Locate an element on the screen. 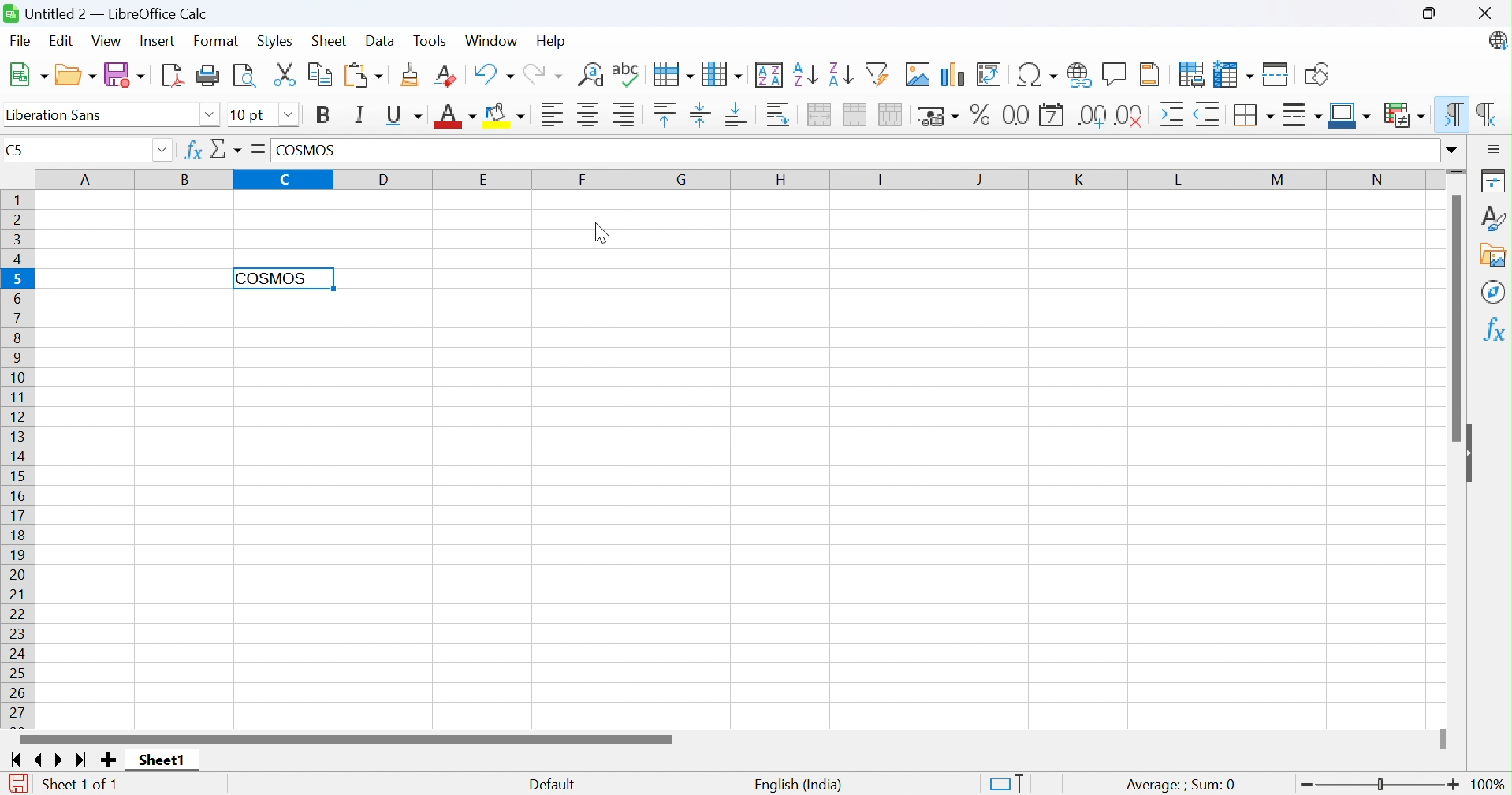 The image size is (1512, 795). Cut is located at coordinates (288, 73).